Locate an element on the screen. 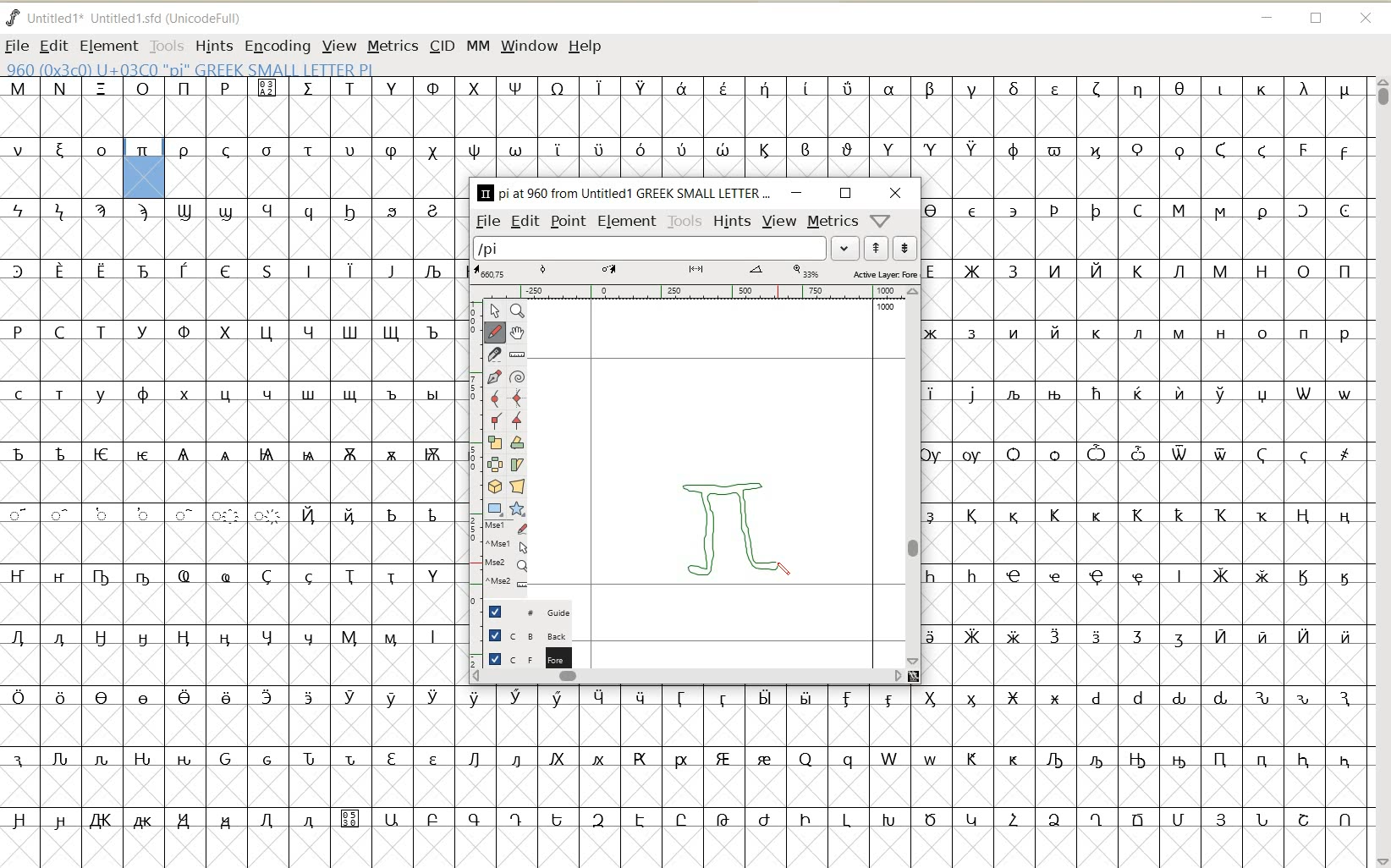 Image resolution: width=1391 pixels, height=868 pixels. RESTORE is located at coordinates (847, 193).